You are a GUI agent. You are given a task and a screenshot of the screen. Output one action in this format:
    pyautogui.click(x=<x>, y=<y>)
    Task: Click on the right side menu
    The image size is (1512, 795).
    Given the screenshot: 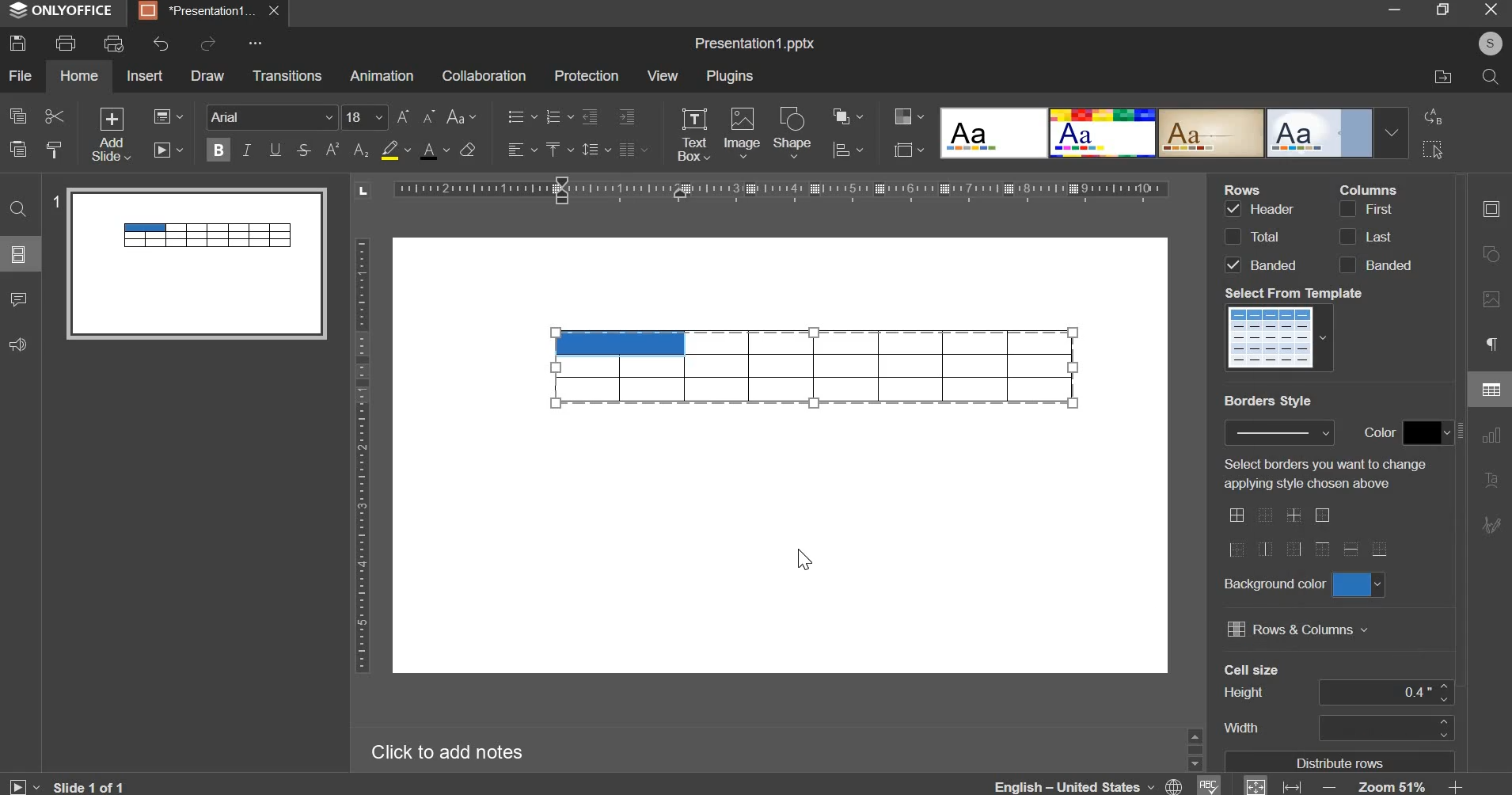 What is the action you would take?
    pyautogui.click(x=1491, y=371)
    